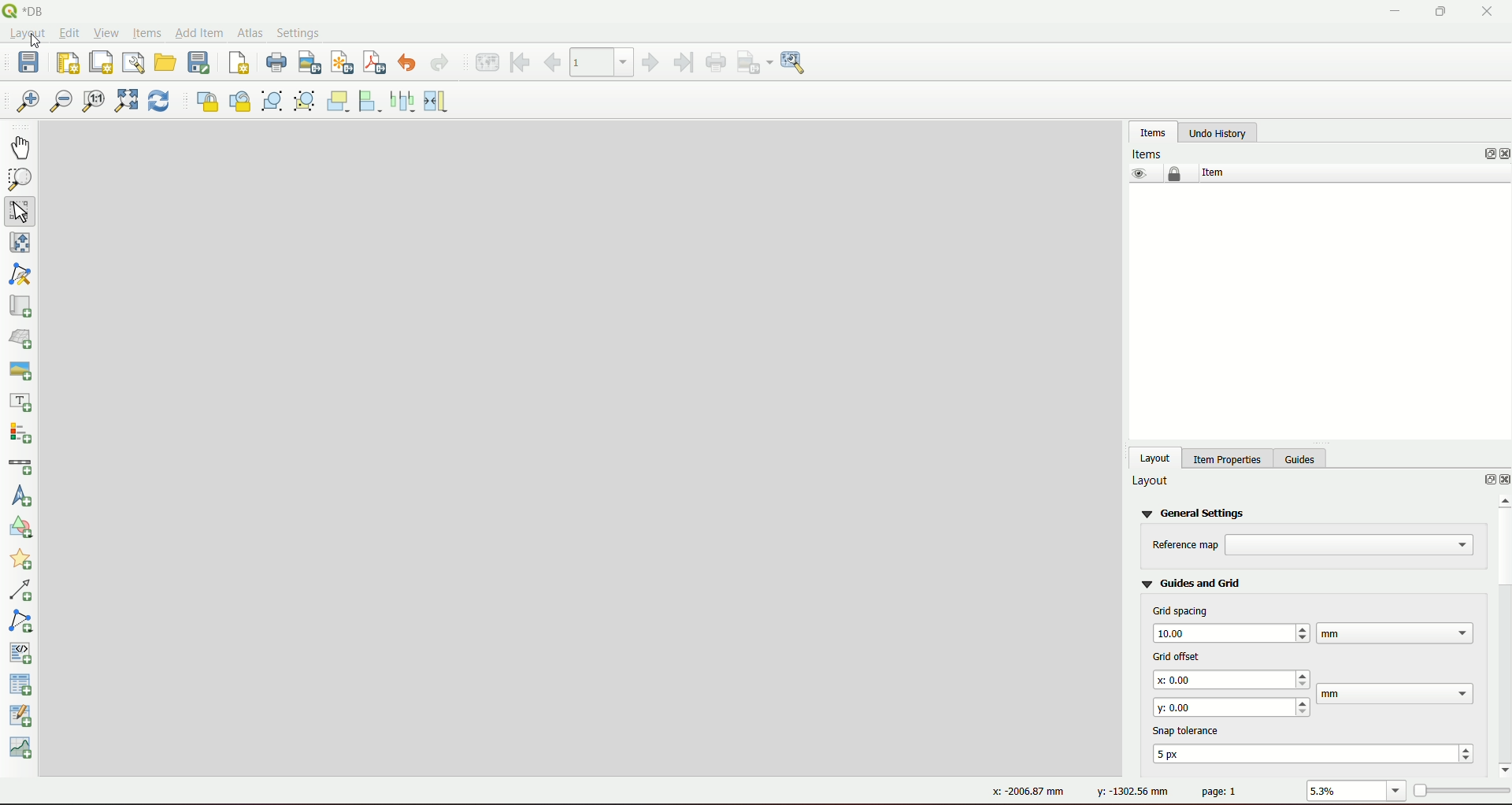  I want to click on export as image, so click(755, 62).